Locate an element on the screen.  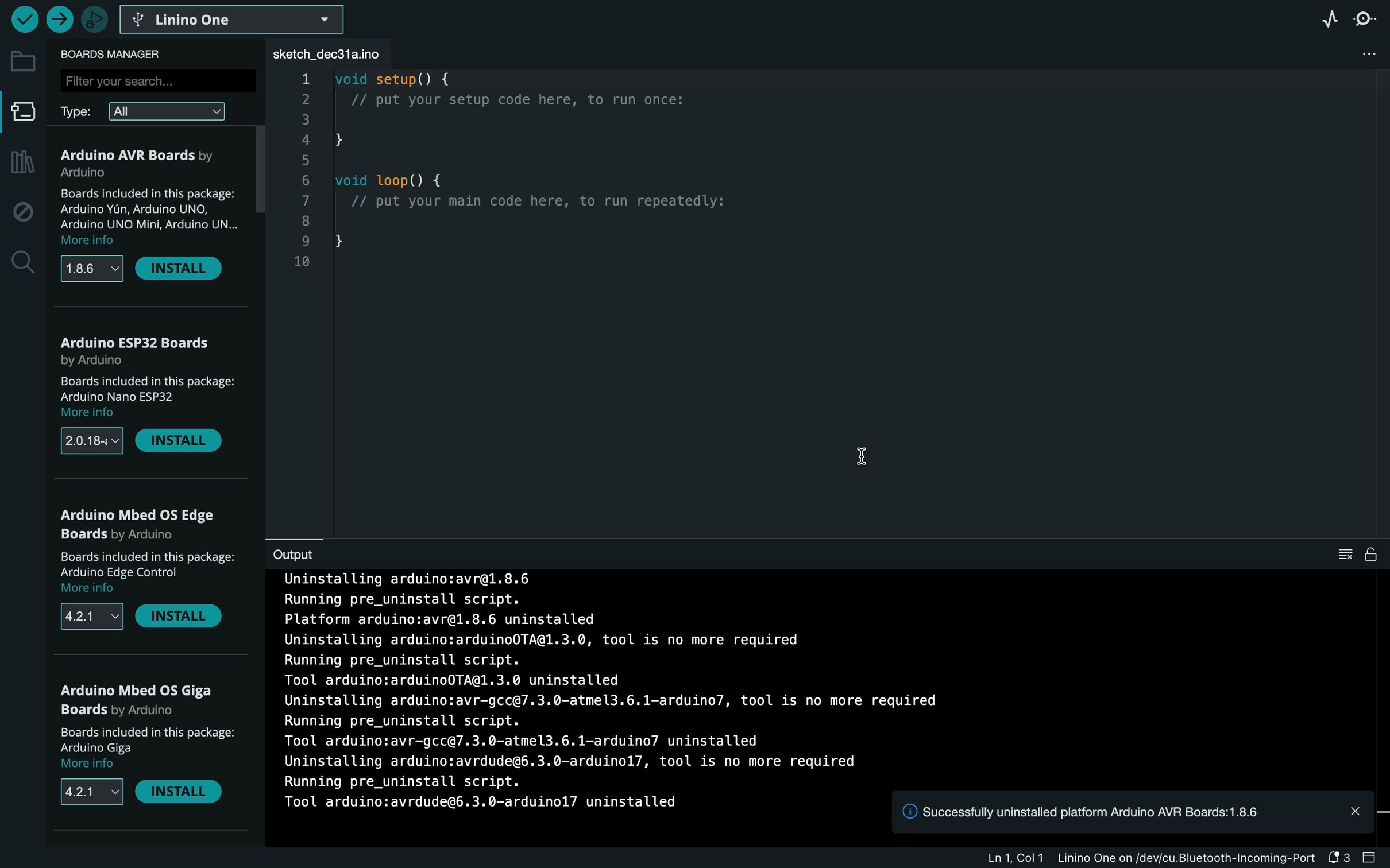
description is located at coordinates (152, 207).